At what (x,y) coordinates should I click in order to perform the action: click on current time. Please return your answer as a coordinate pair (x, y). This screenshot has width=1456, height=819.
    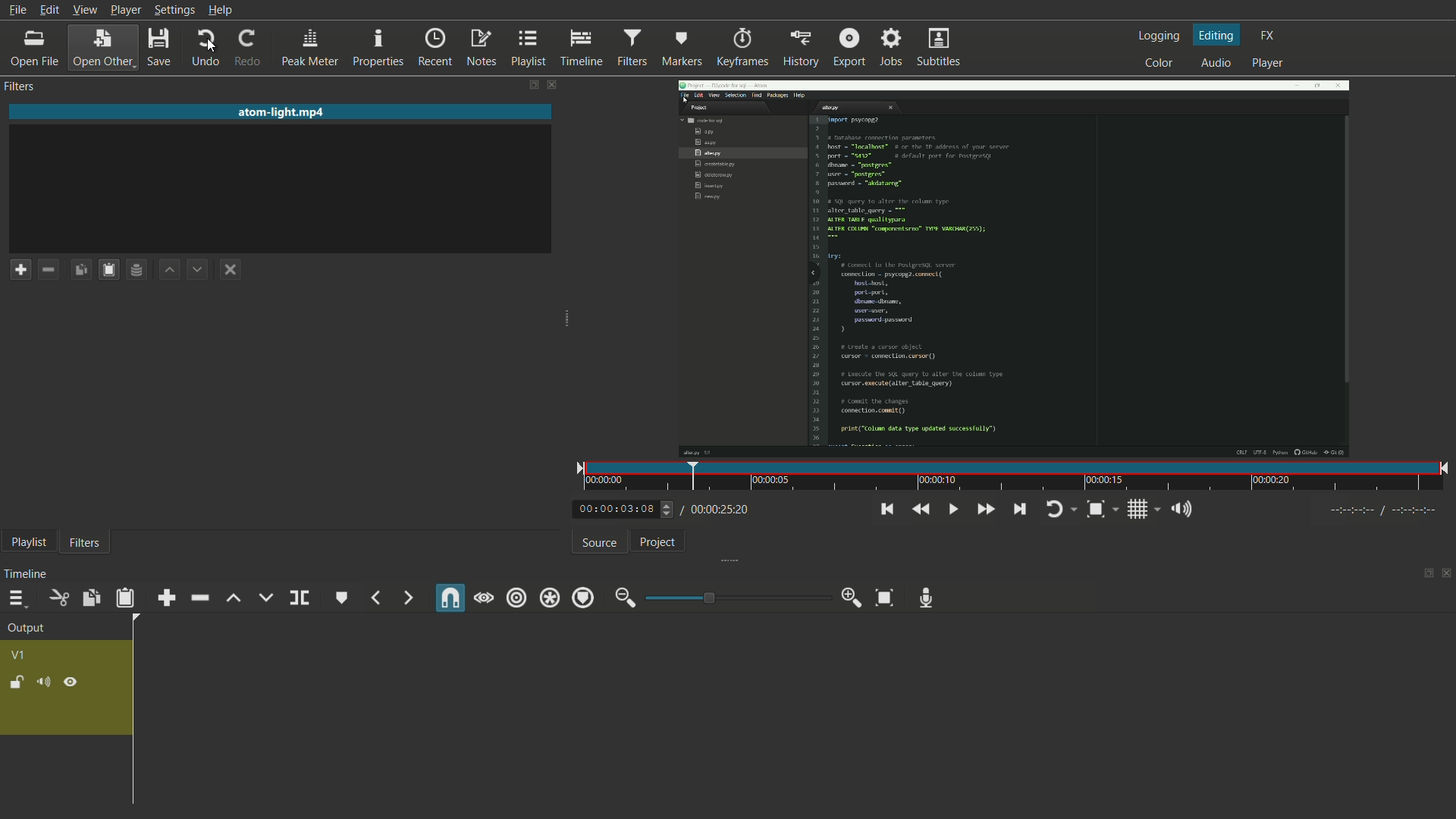
    Looking at the image, I should click on (616, 509).